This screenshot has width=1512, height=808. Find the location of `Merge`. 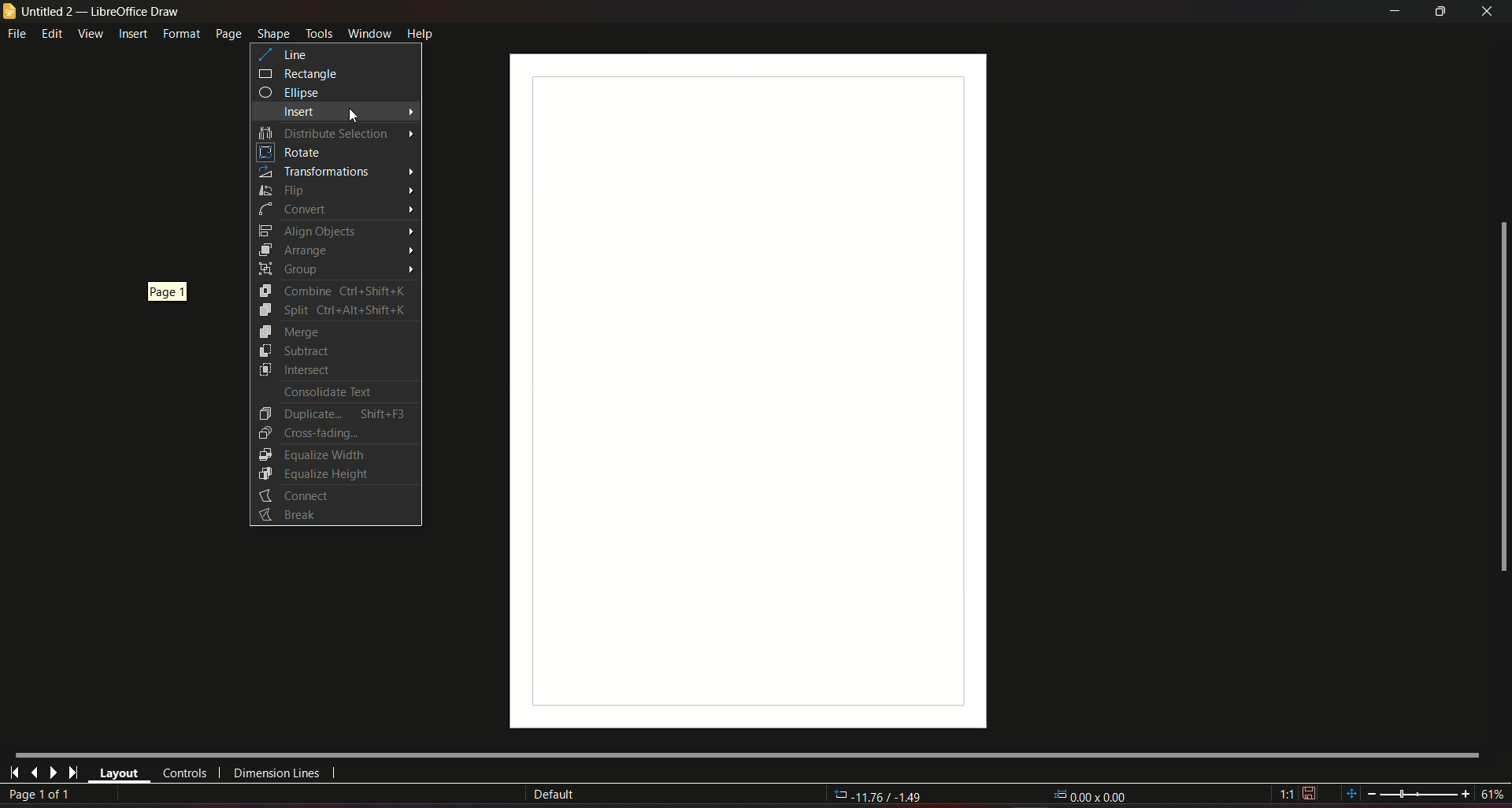

Merge is located at coordinates (291, 332).